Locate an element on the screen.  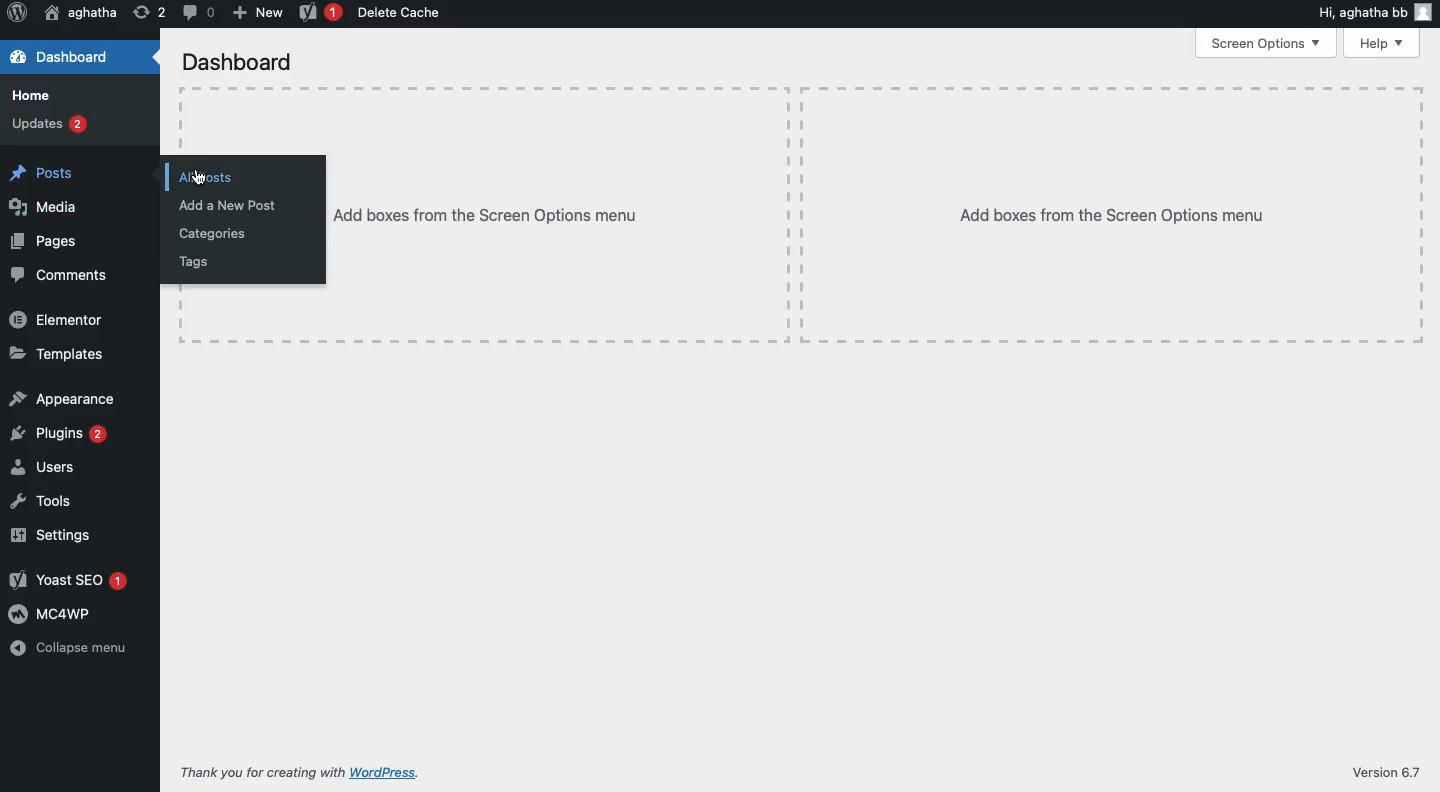
Wordpress logo is located at coordinates (19, 12).